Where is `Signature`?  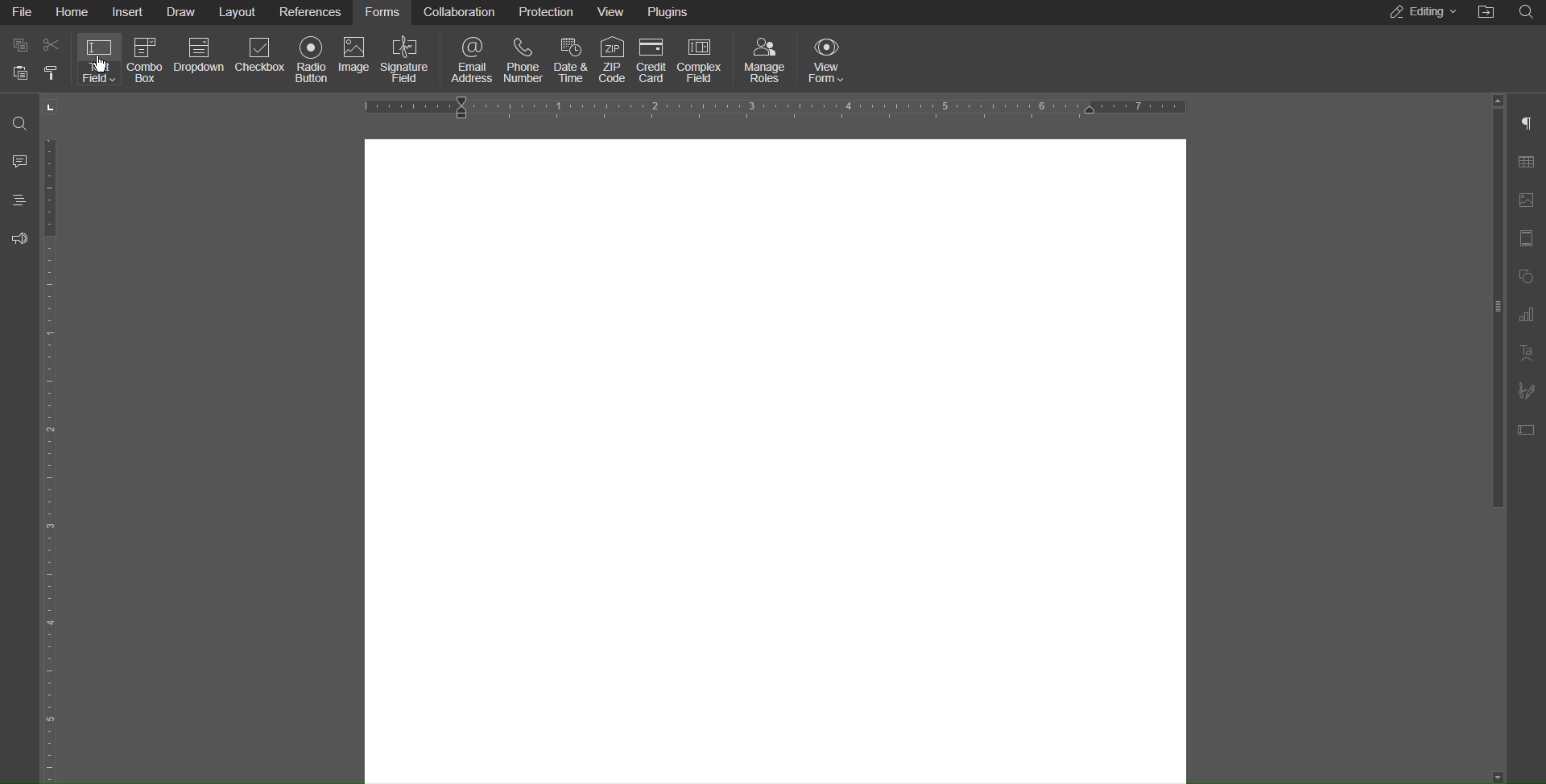 Signature is located at coordinates (1528, 392).